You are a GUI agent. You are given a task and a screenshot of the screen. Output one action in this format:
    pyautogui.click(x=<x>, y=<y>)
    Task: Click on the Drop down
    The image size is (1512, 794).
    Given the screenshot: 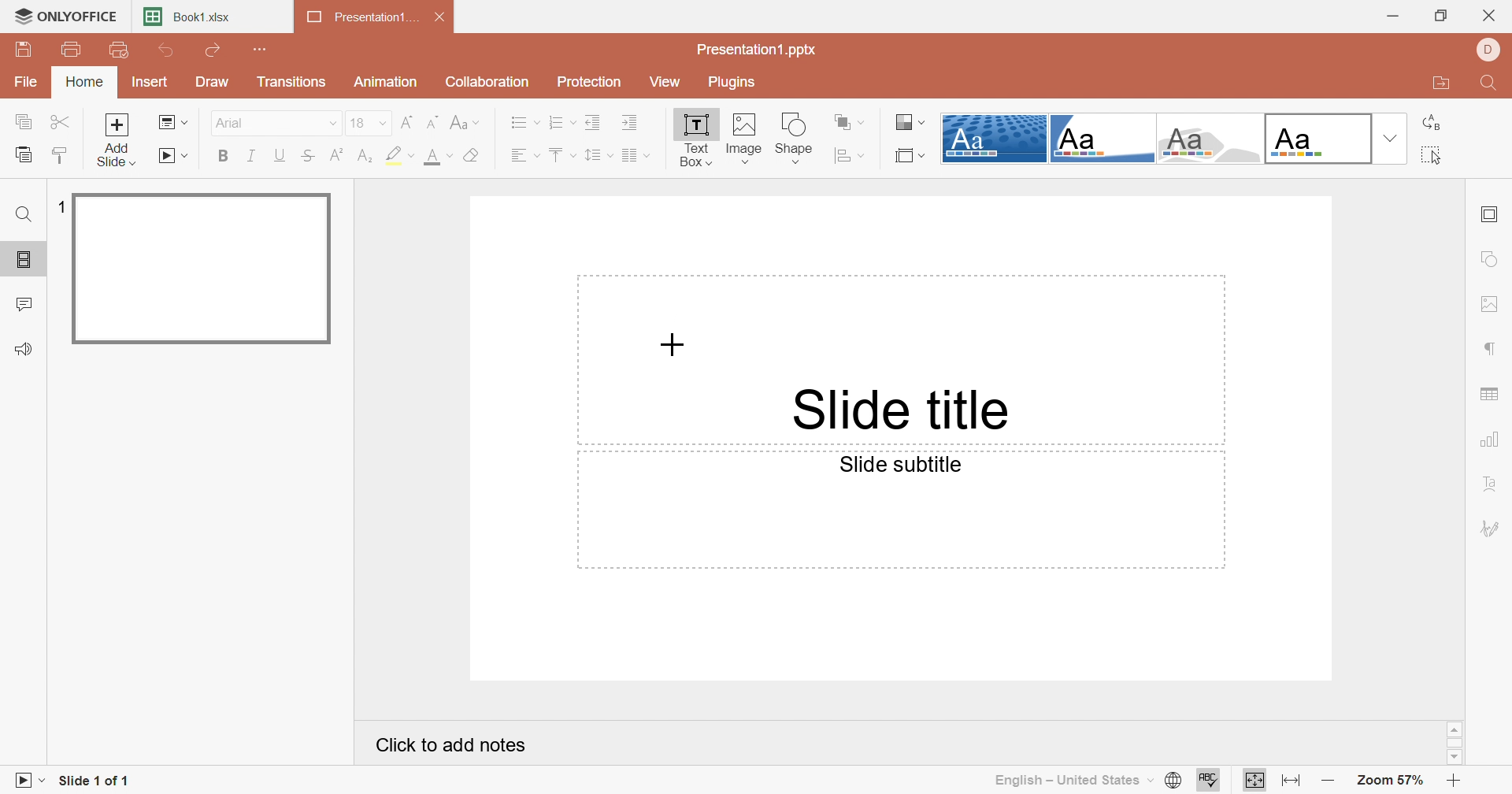 What is the action you would take?
    pyautogui.click(x=1389, y=138)
    